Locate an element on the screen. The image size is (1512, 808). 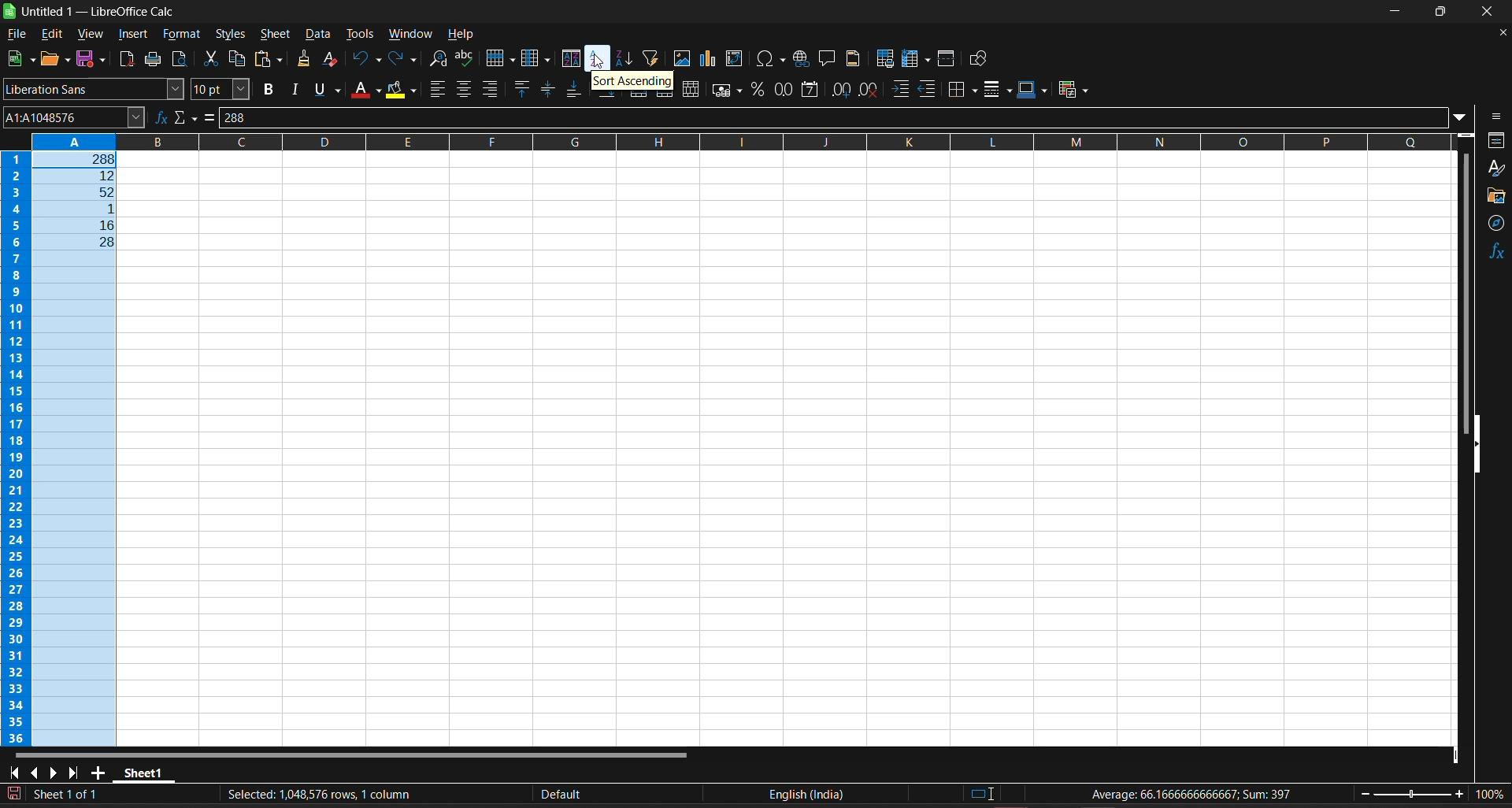
sort descending is located at coordinates (628, 57).